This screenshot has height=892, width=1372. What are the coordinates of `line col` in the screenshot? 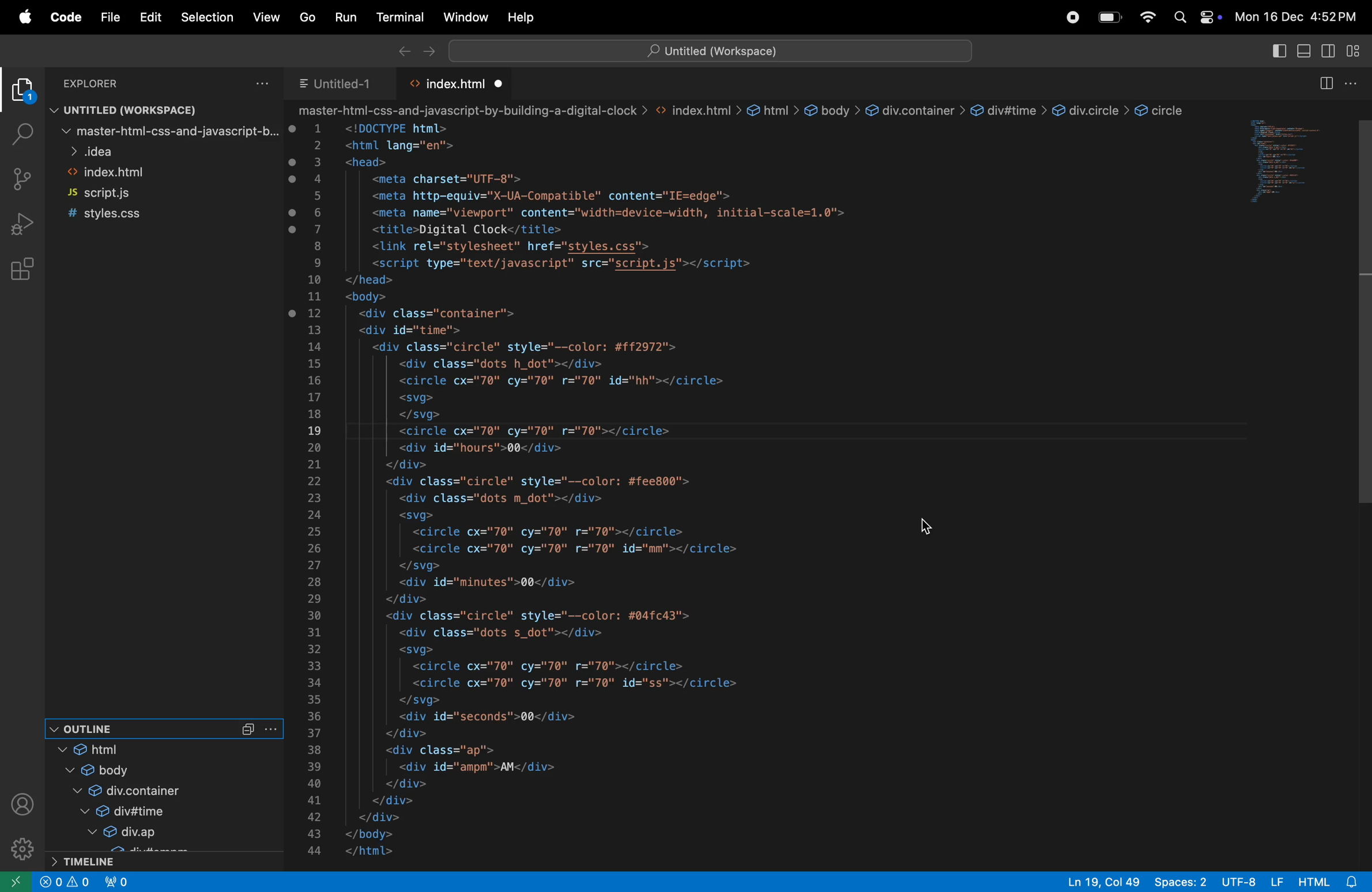 It's located at (1101, 881).